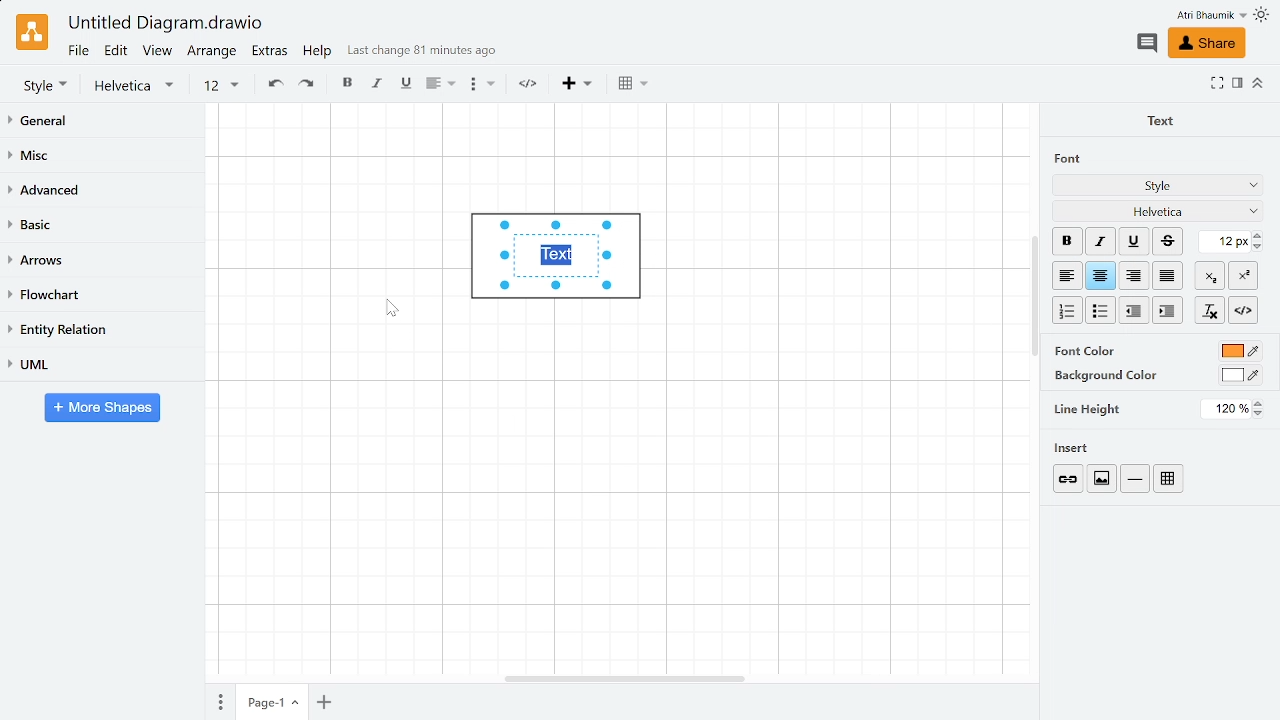 Image resolution: width=1280 pixels, height=720 pixels. I want to click on Image, so click(1100, 478).